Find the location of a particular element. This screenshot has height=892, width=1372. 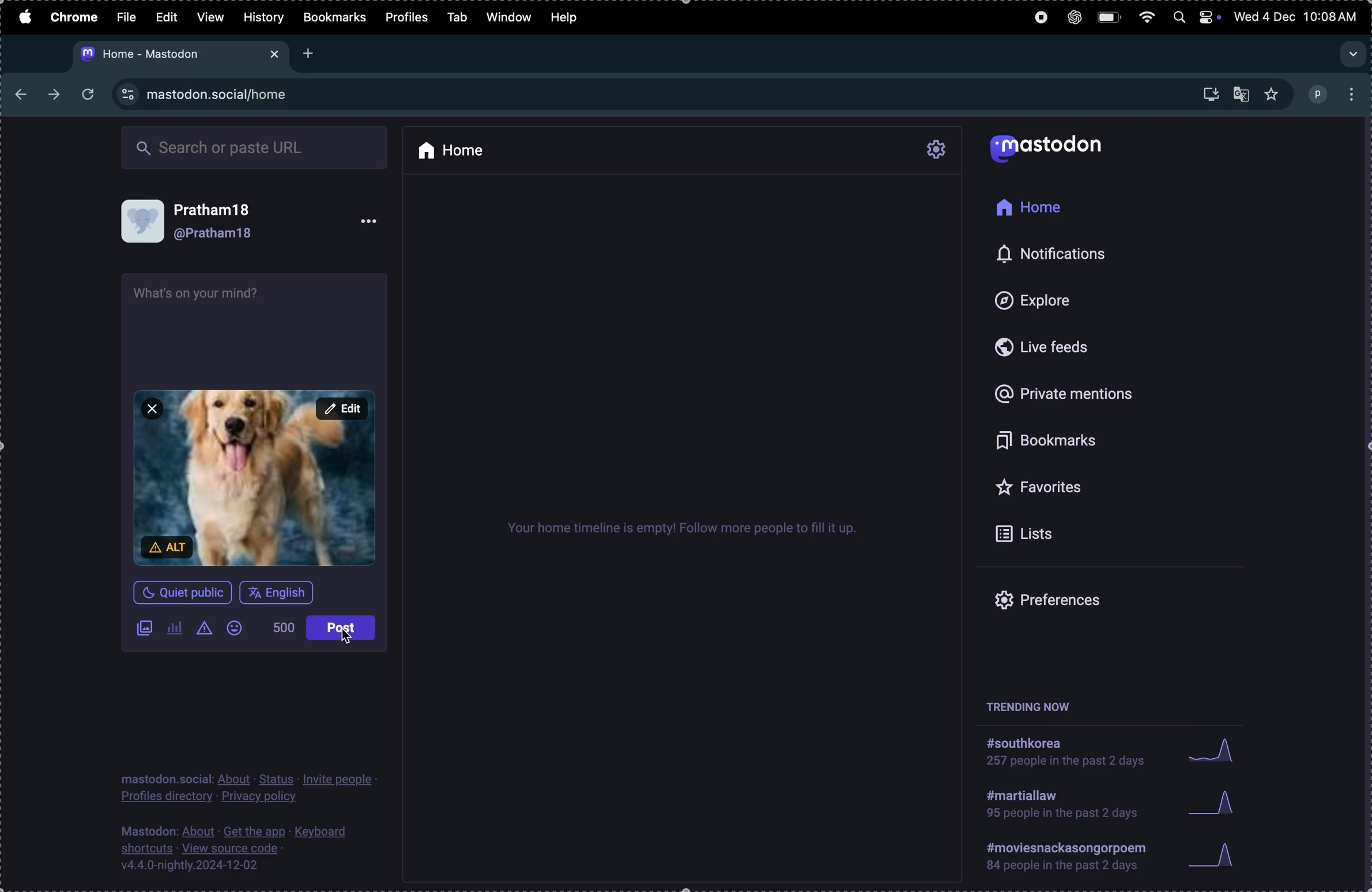

translate is located at coordinates (1242, 92).